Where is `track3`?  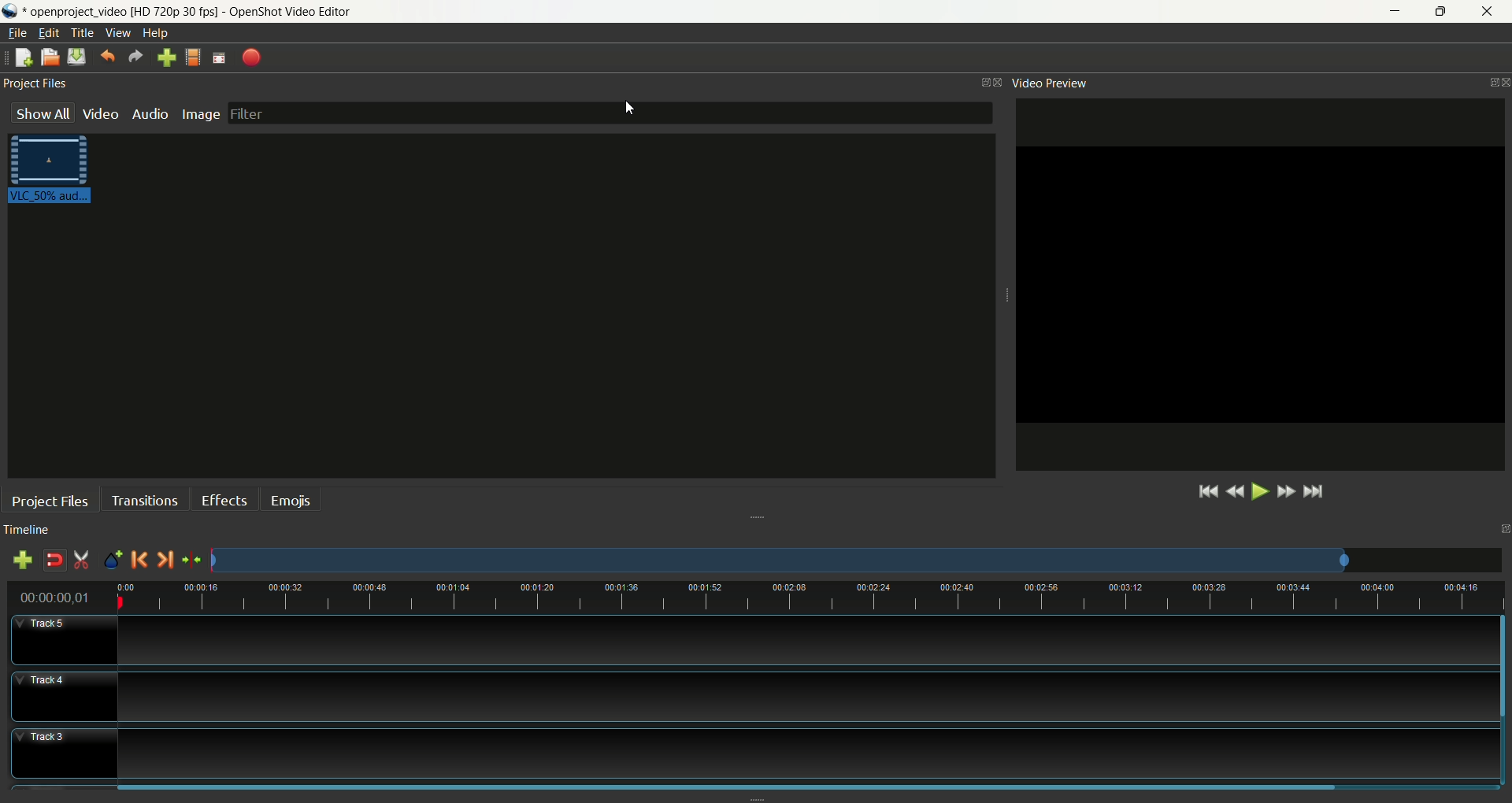 track3 is located at coordinates (64, 754).